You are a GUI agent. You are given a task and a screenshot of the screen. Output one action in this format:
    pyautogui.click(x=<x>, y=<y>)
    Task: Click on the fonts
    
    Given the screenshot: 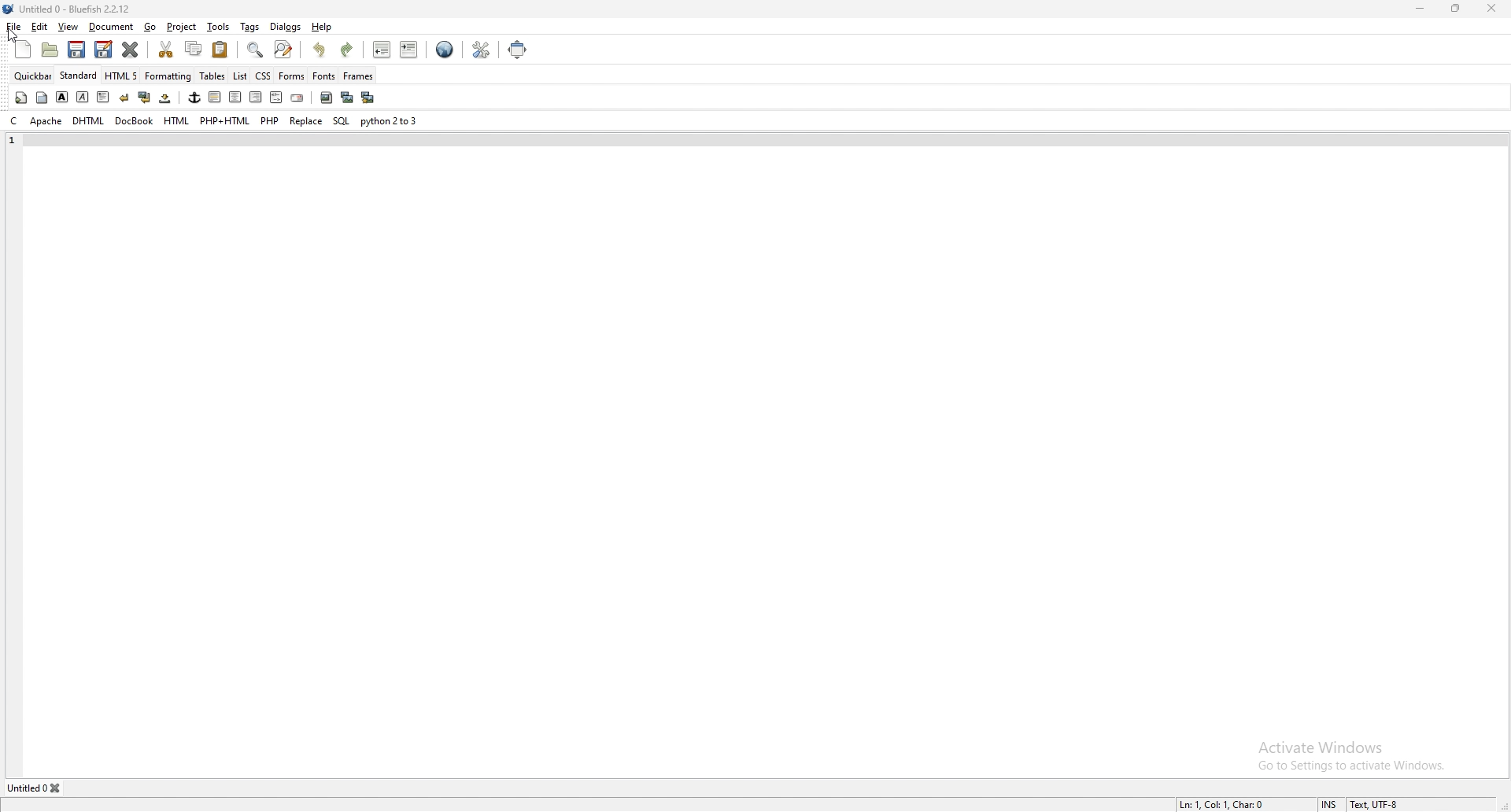 What is the action you would take?
    pyautogui.click(x=324, y=76)
    